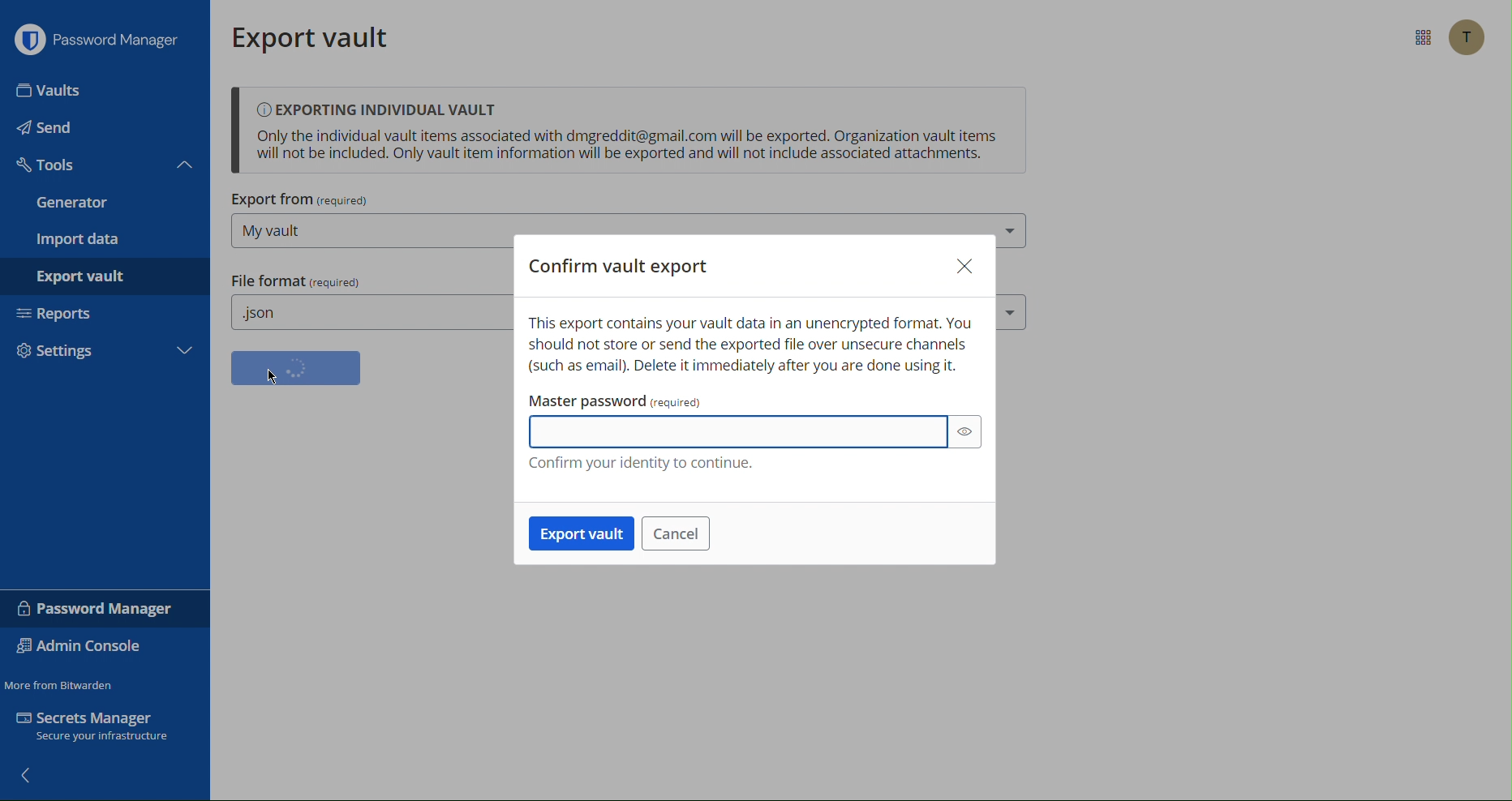 The height and width of the screenshot is (801, 1512). Describe the element at coordinates (35, 778) in the screenshot. I see `back` at that location.